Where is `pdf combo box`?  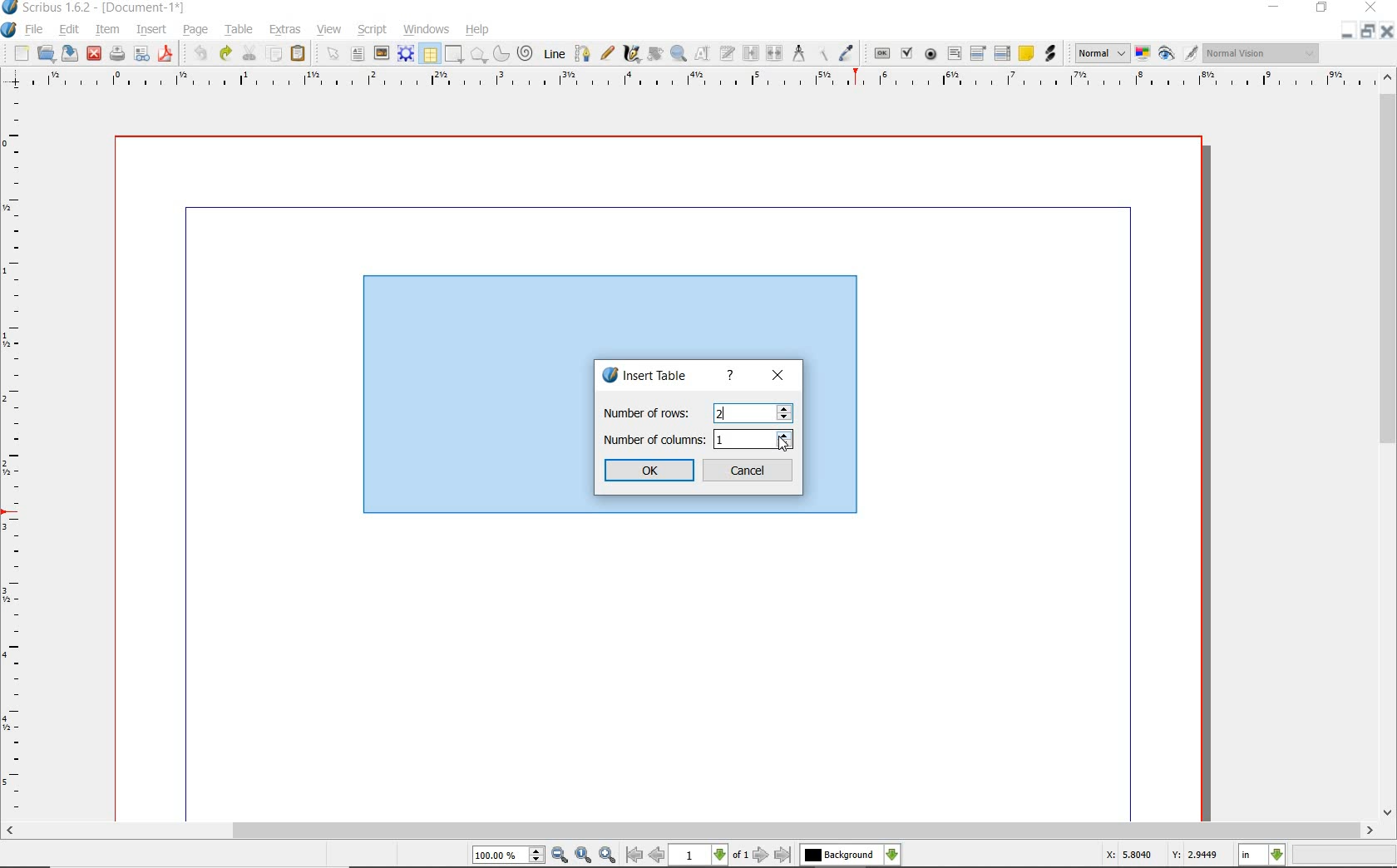
pdf combo box is located at coordinates (980, 54).